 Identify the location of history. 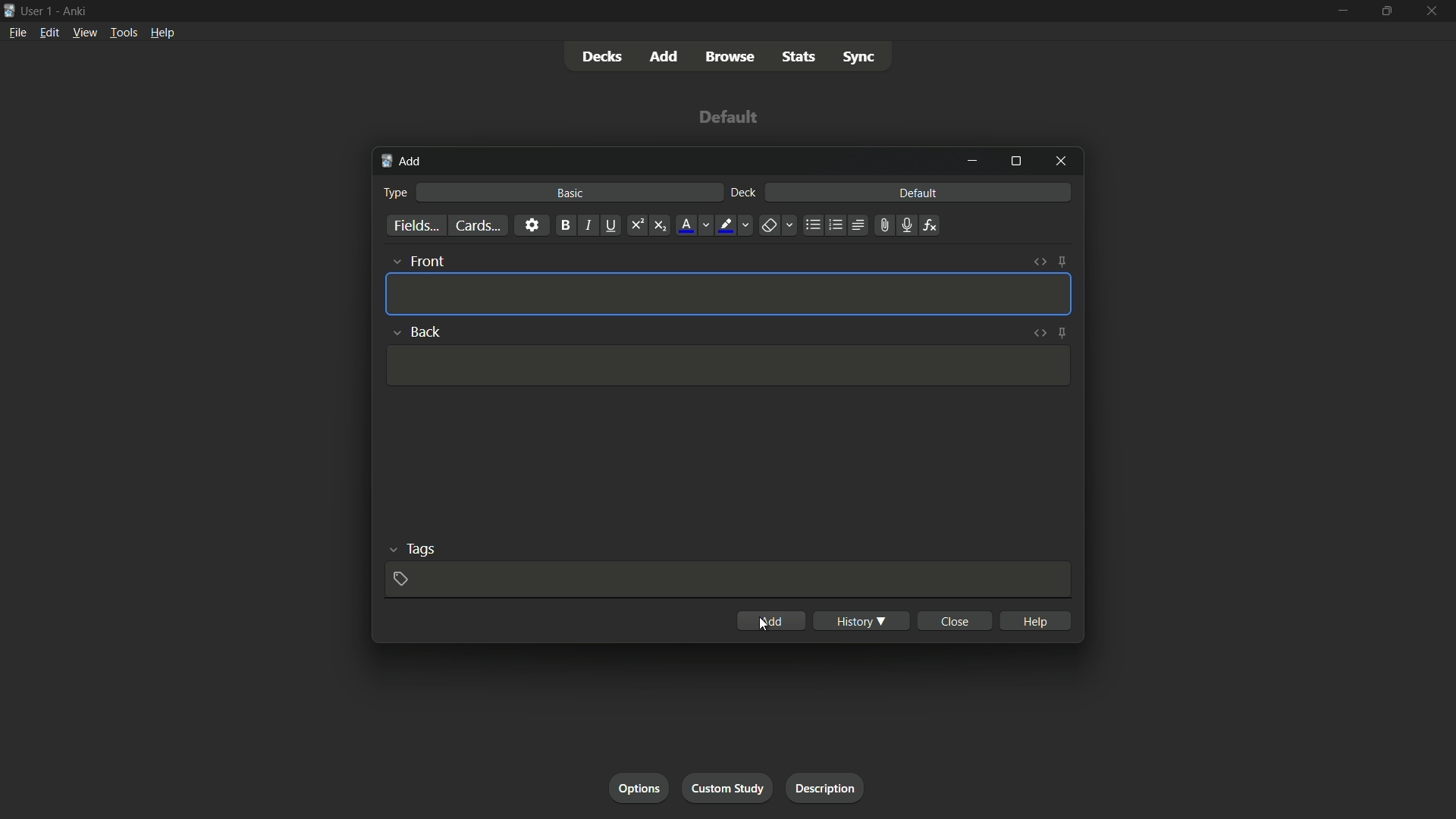
(862, 620).